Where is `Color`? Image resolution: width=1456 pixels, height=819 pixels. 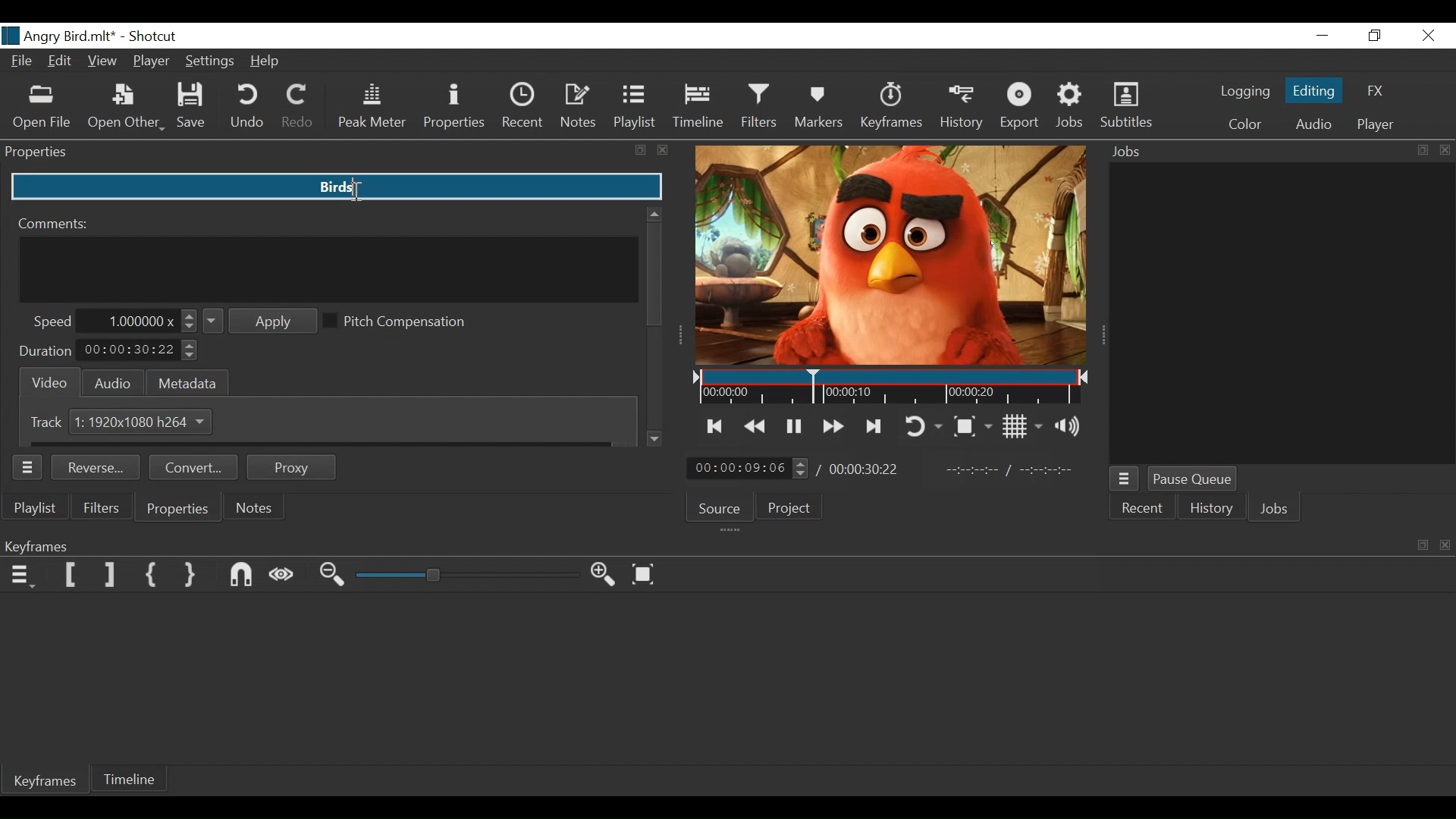 Color is located at coordinates (1244, 124).